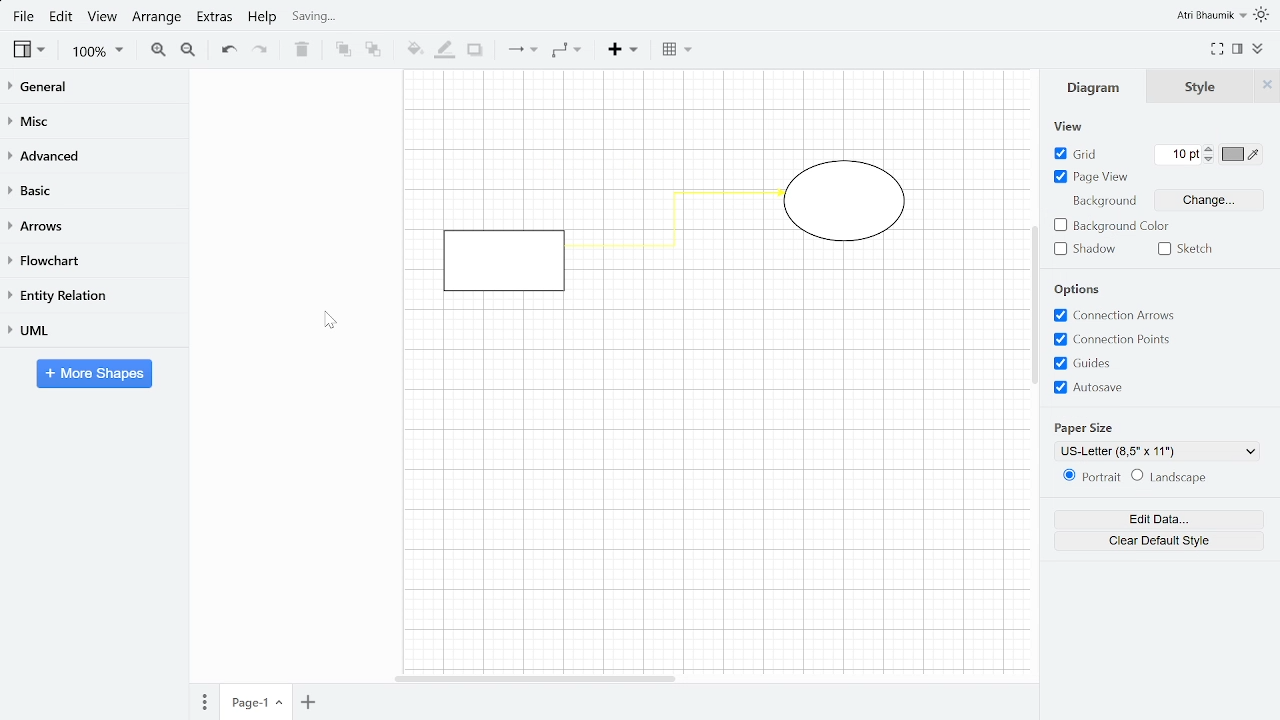 The height and width of the screenshot is (720, 1280). What do you see at coordinates (443, 51) in the screenshot?
I see `Fill line` at bounding box center [443, 51].